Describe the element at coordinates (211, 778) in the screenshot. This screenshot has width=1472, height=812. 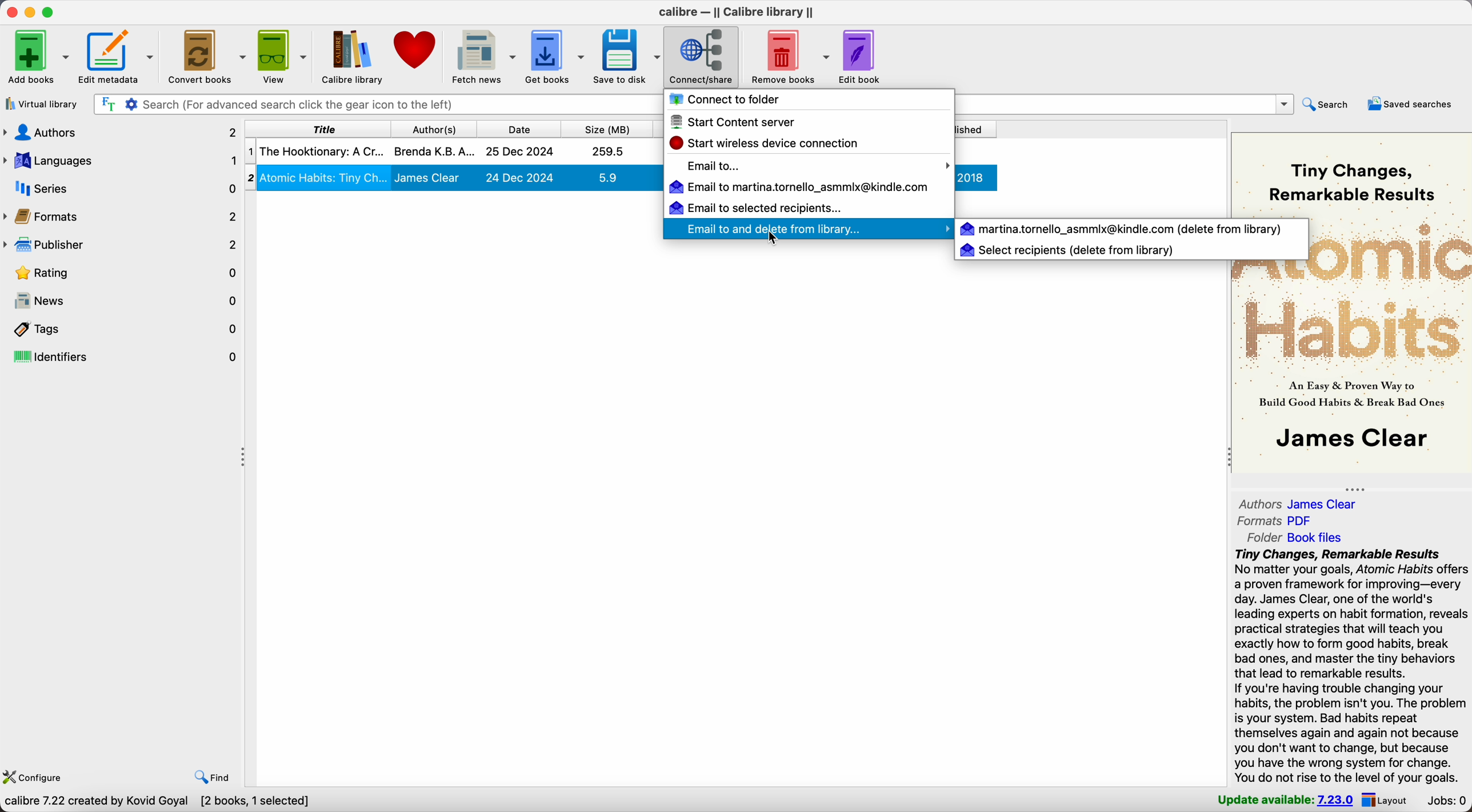
I see `find` at that location.